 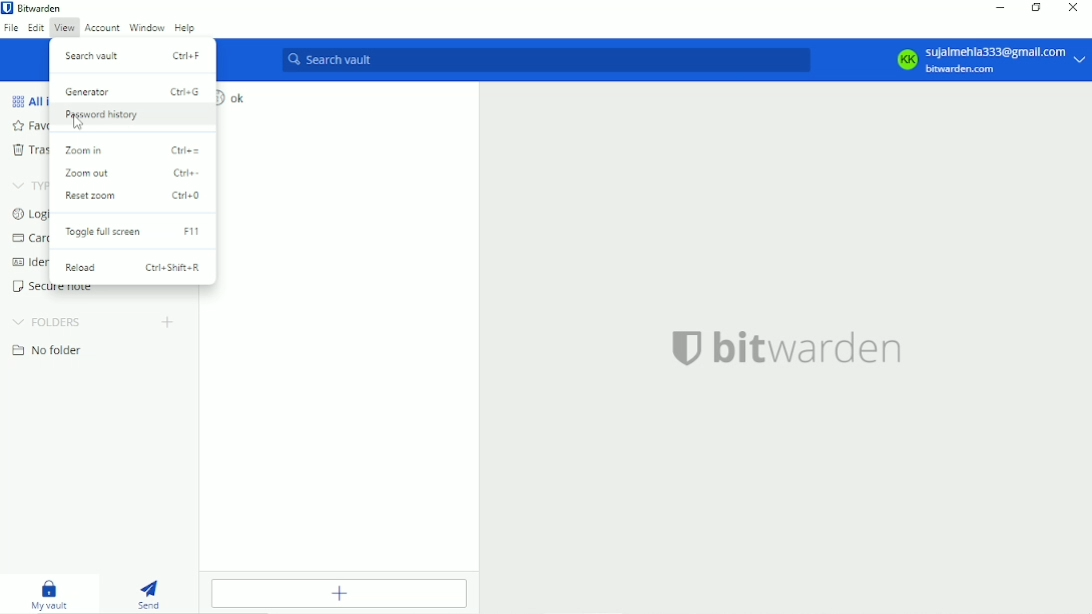 What do you see at coordinates (132, 196) in the screenshot?
I see `Reset zoom` at bounding box center [132, 196].